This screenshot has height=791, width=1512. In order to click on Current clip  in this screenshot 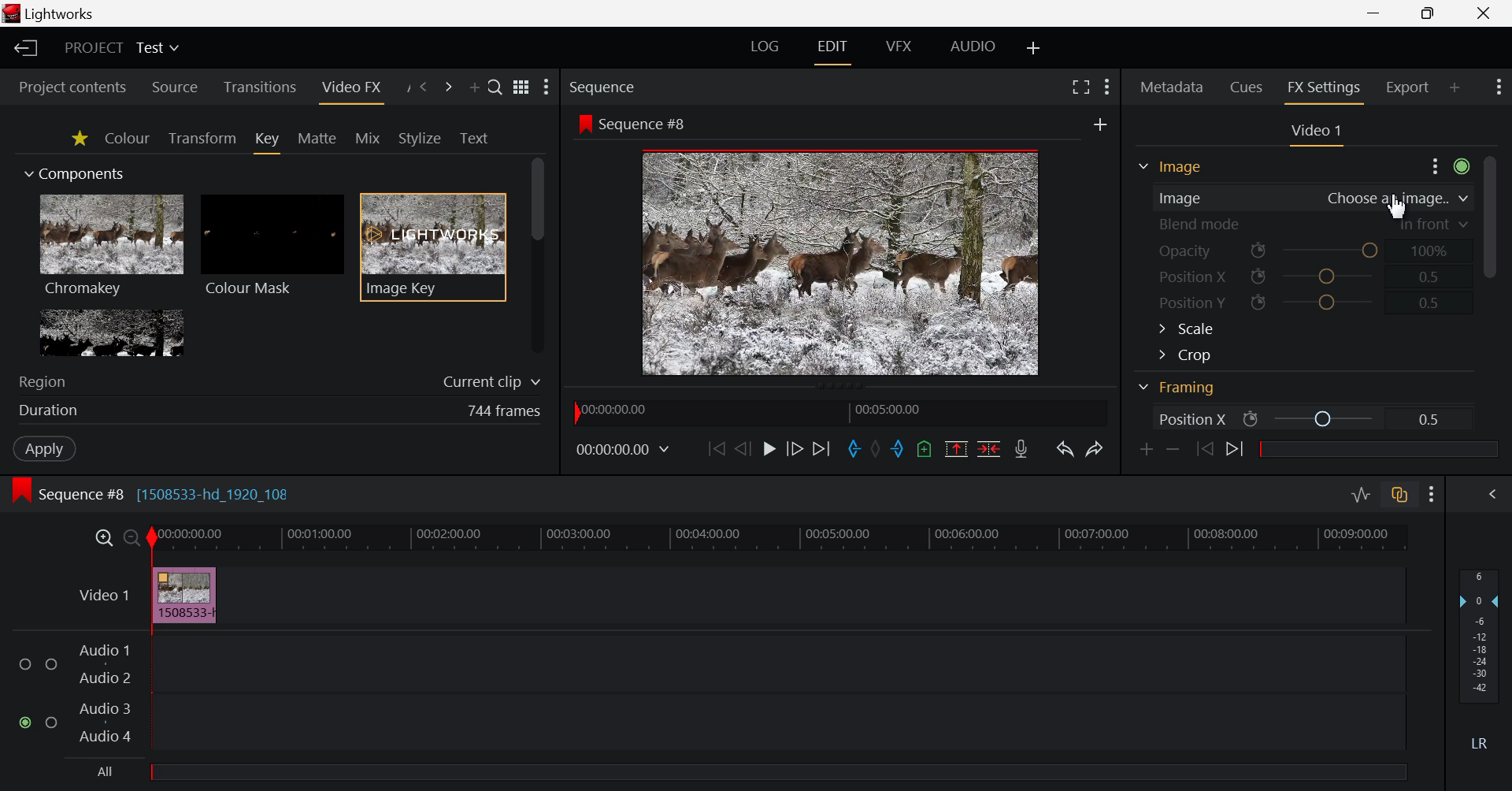, I will do `click(489, 382)`.